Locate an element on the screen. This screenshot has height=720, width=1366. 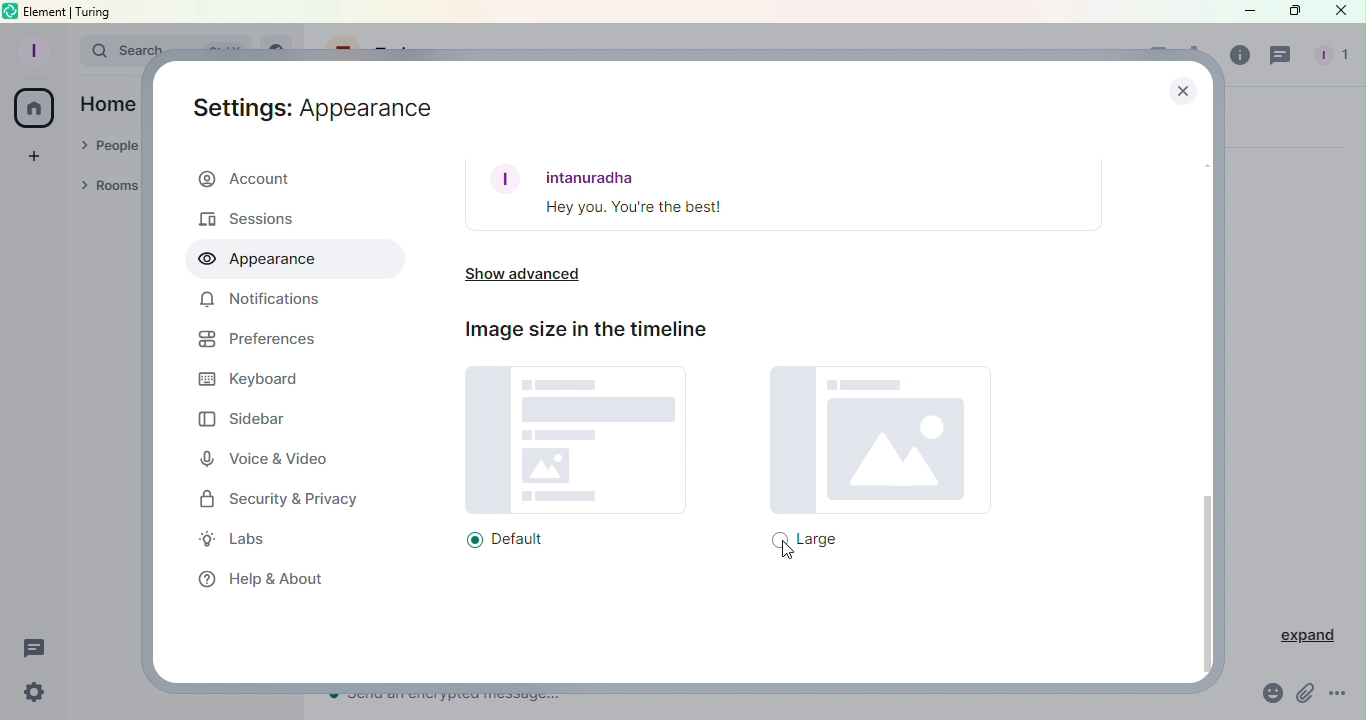
Preferences is located at coordinates (257, 342).